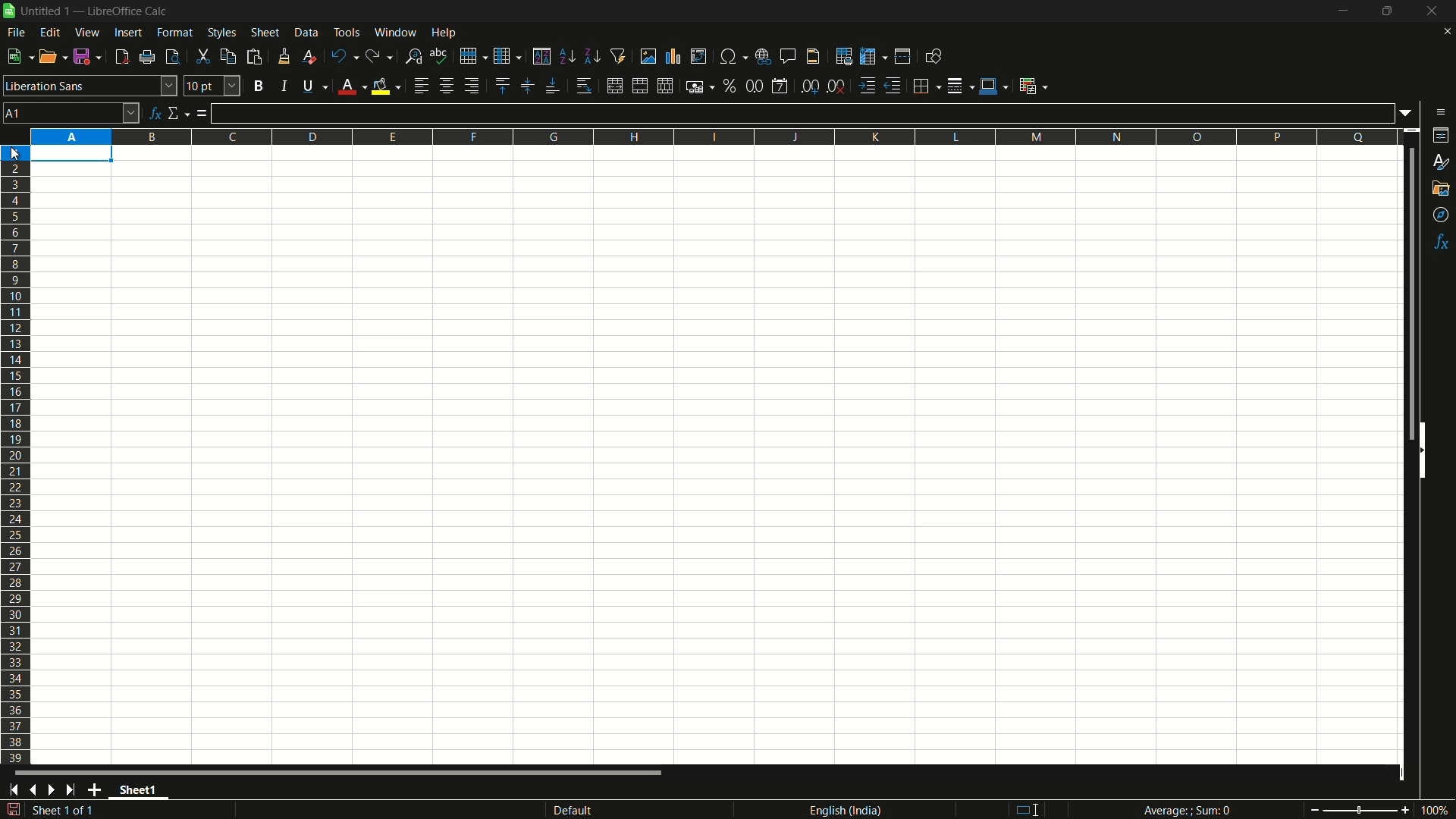 The image size is (1456, 819). What do you see at coordinates (619, 56) in the screenshot?
I see `auto filter` at bounding box center [619, 56].